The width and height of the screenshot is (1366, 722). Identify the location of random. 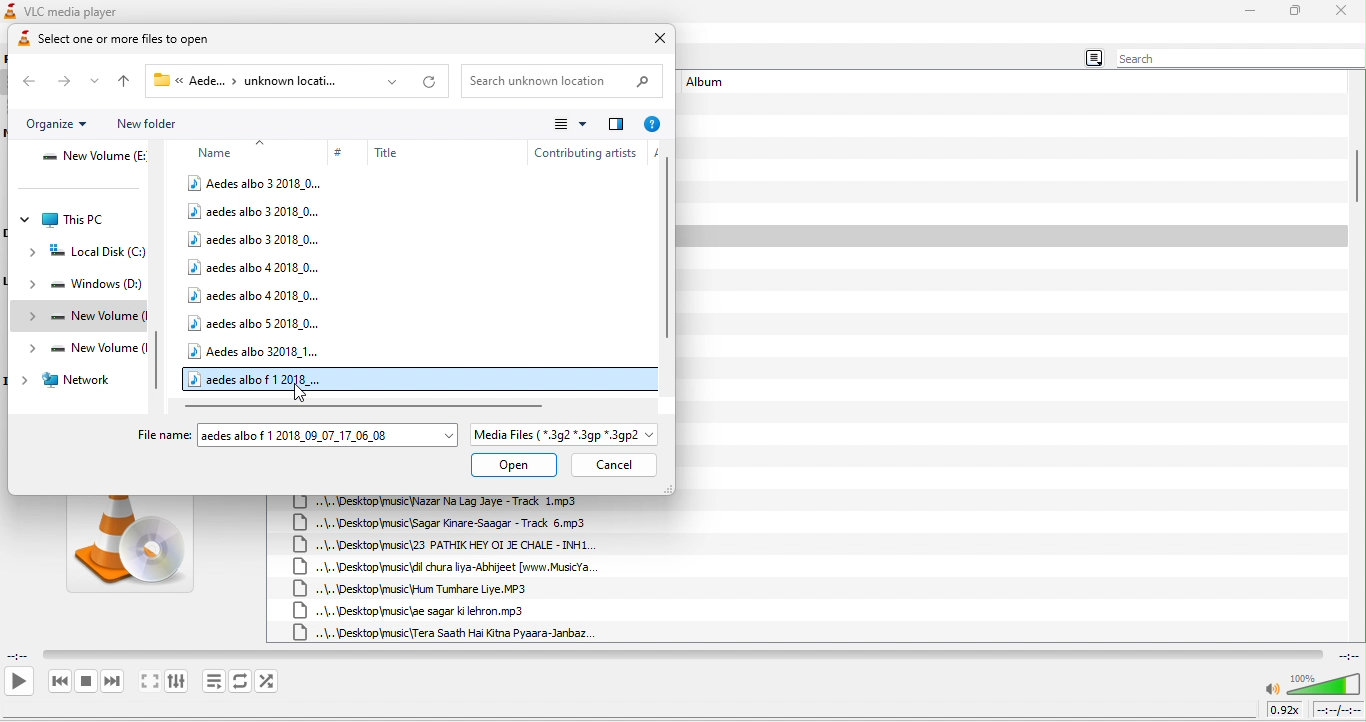
(269, 681).